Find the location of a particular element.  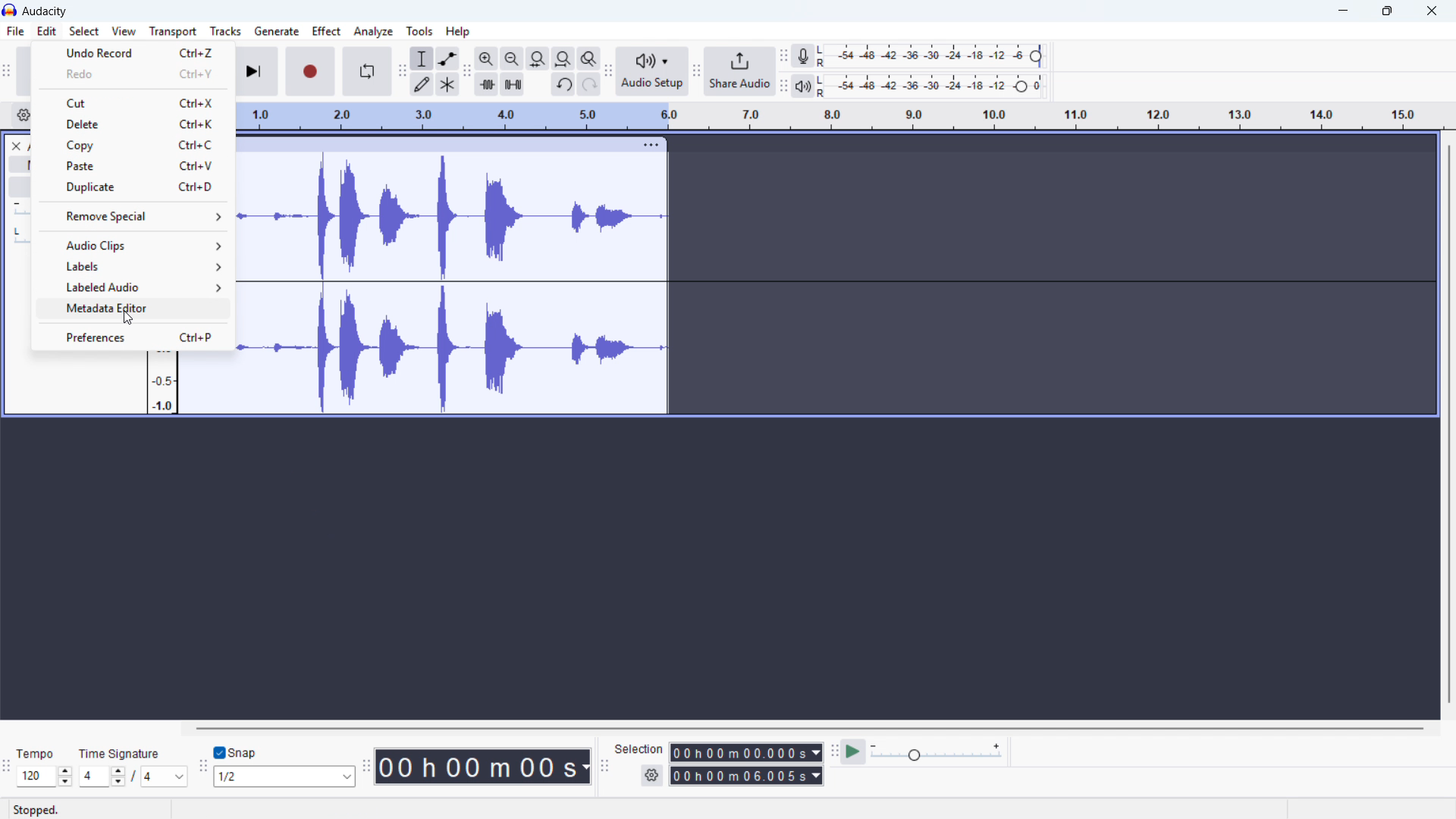

labeled audio is located at coordinates (131, 287).